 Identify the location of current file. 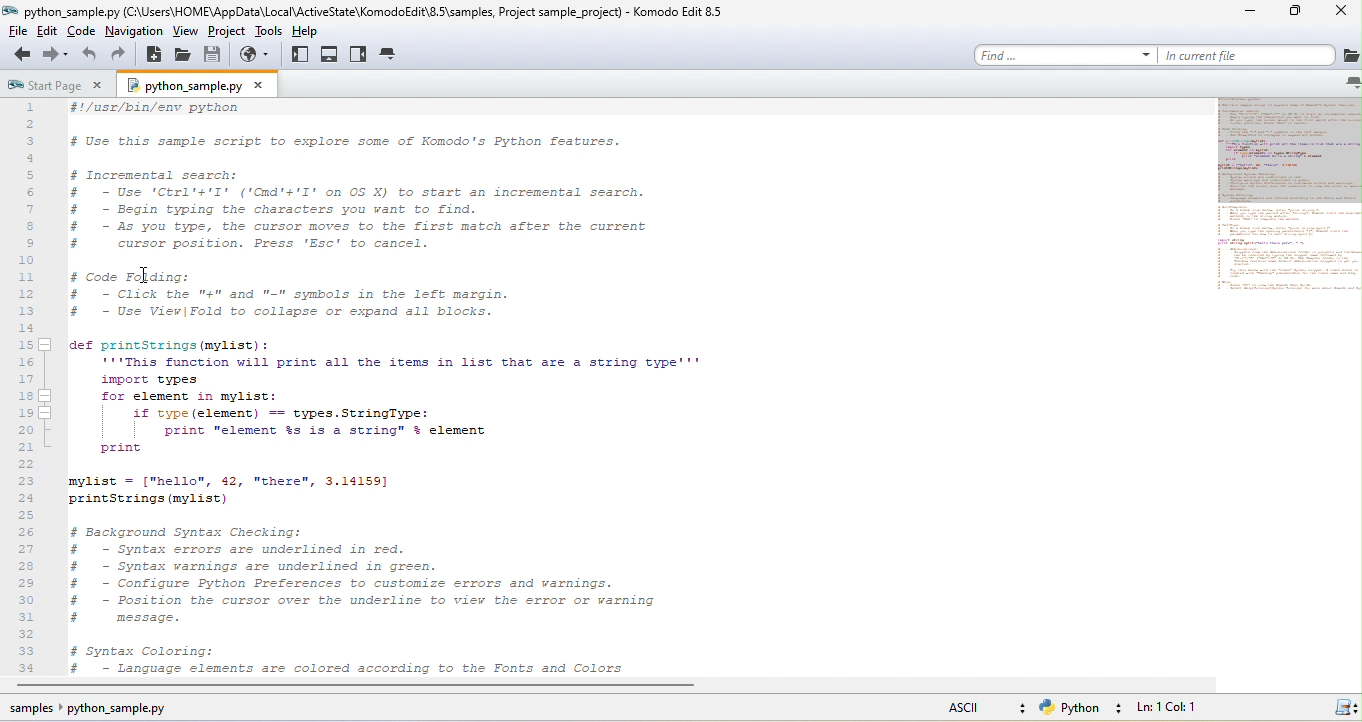
(1262, 55).